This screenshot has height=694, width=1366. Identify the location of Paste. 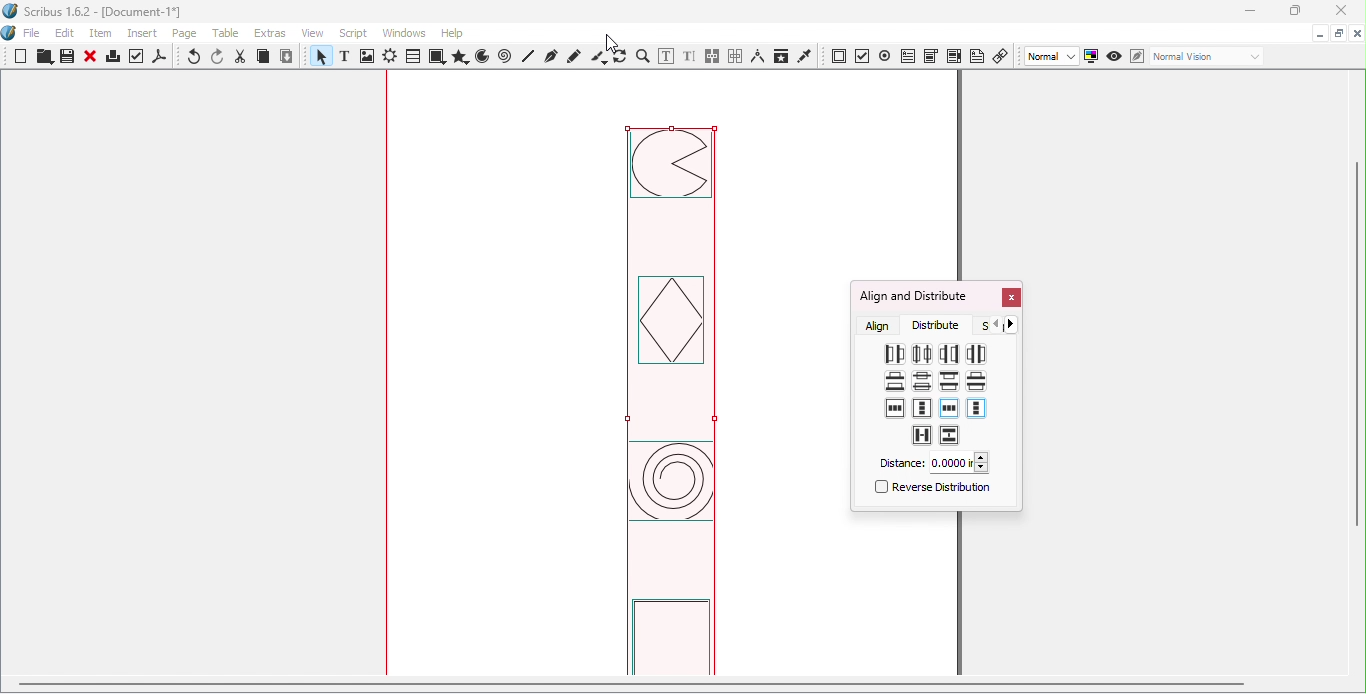
(287, 57).